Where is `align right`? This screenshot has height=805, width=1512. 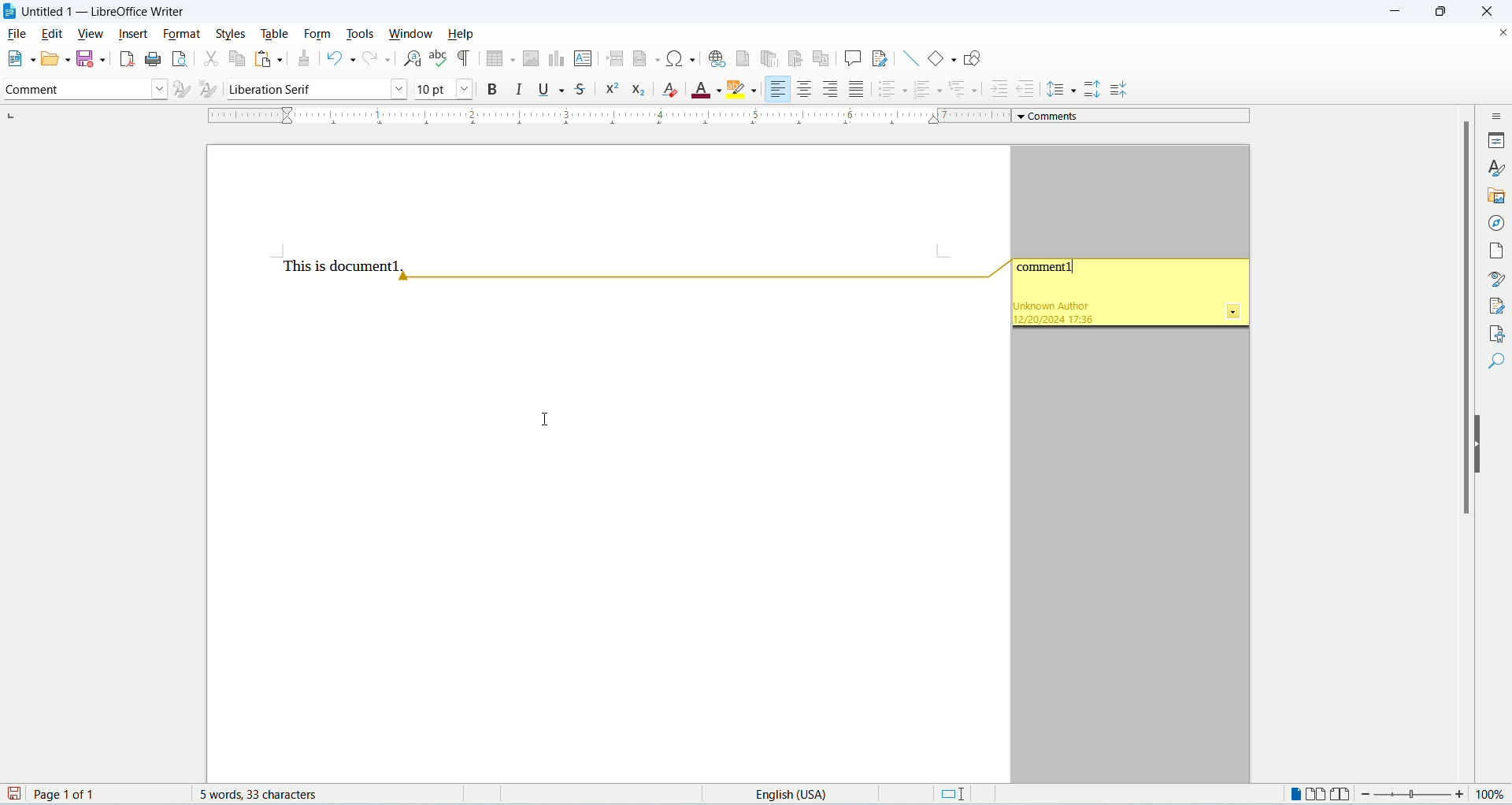 align right is located at coordinates (831, 90).